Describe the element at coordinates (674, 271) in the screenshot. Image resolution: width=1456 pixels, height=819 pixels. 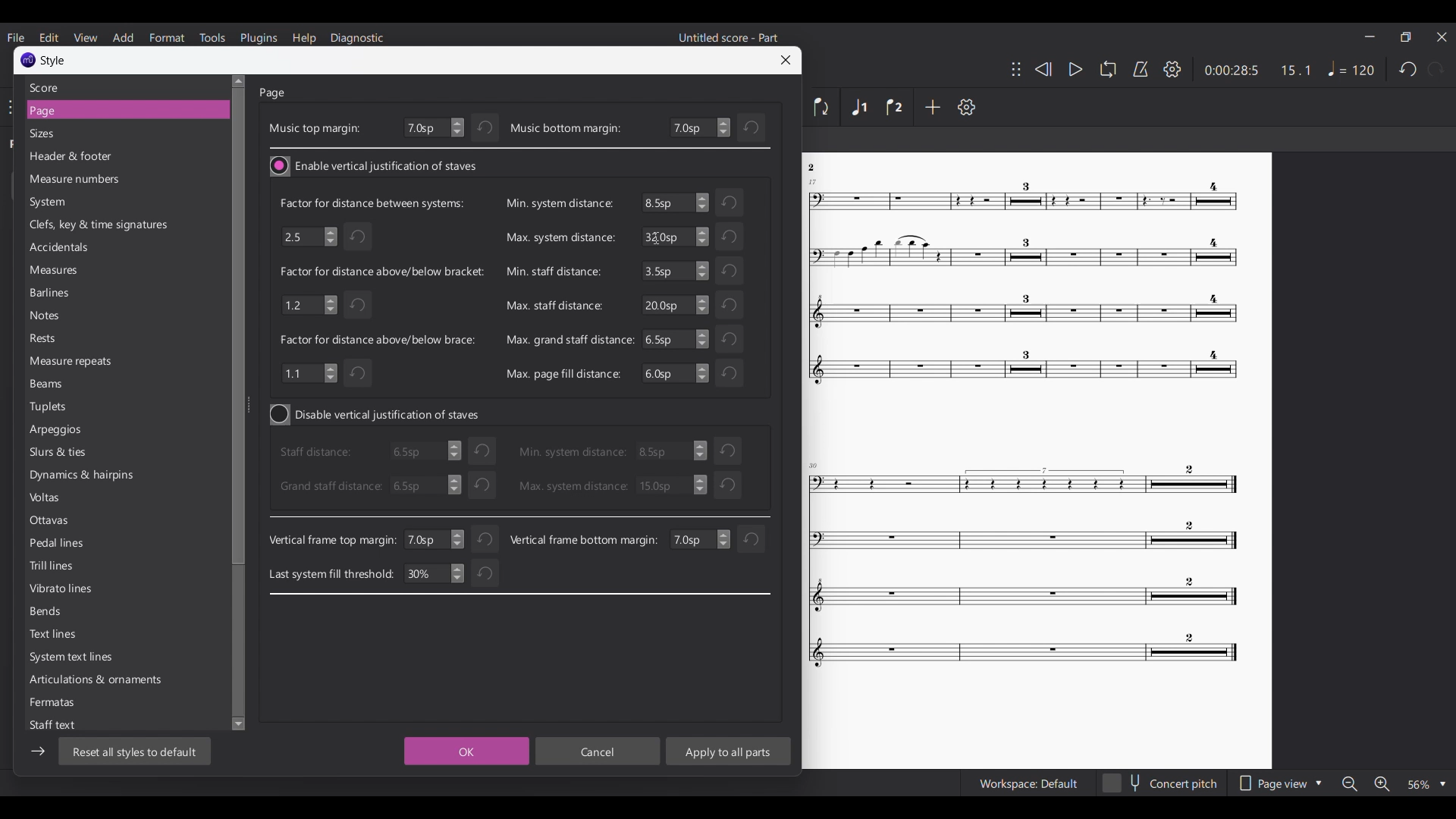
I see `3.5sp` at that location.